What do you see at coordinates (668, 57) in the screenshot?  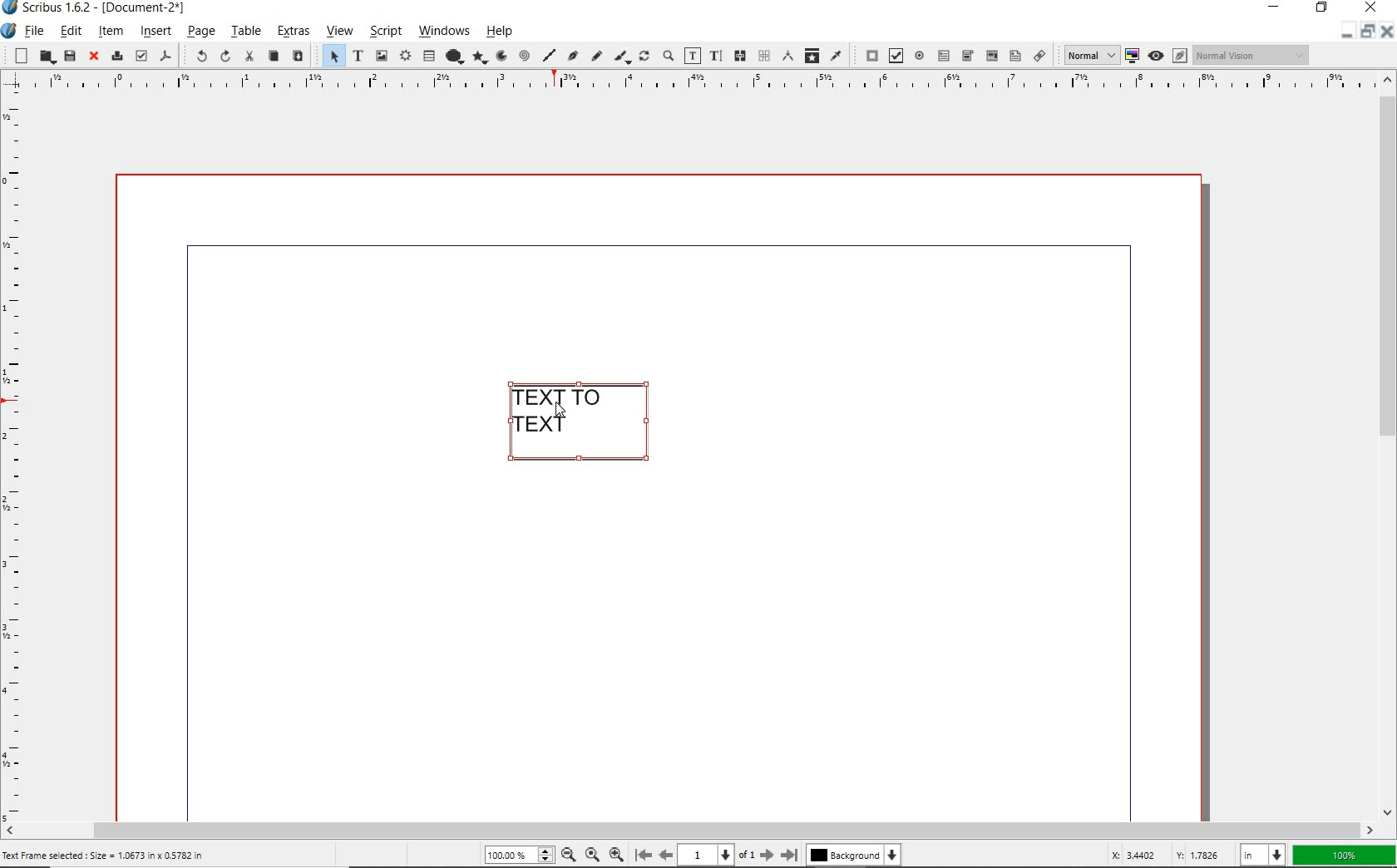 I see `zoom in or zoom out` at bounding box center [668, 57].